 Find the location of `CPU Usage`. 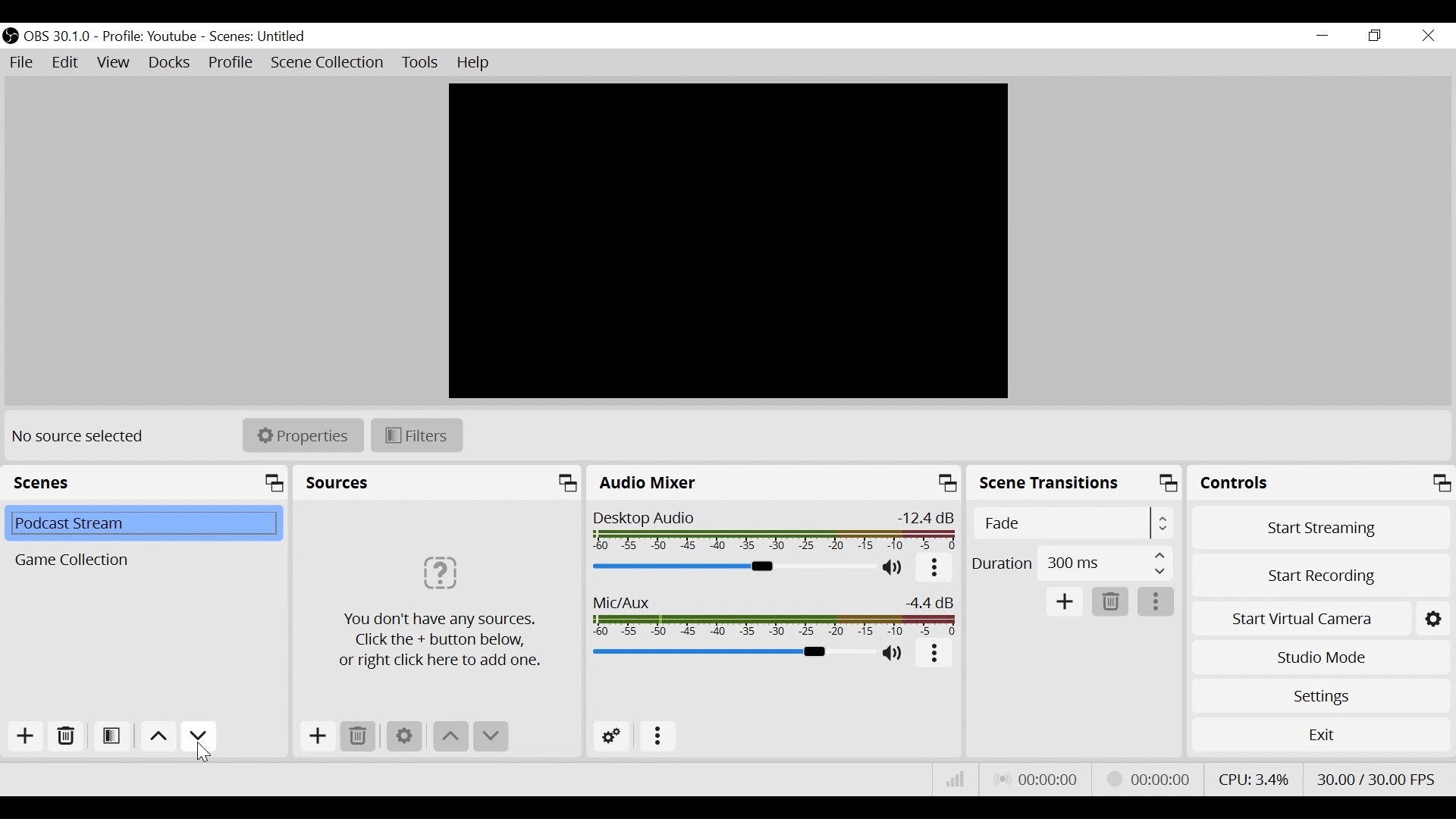

CPU Usage is located at coordinates (1253, 777).